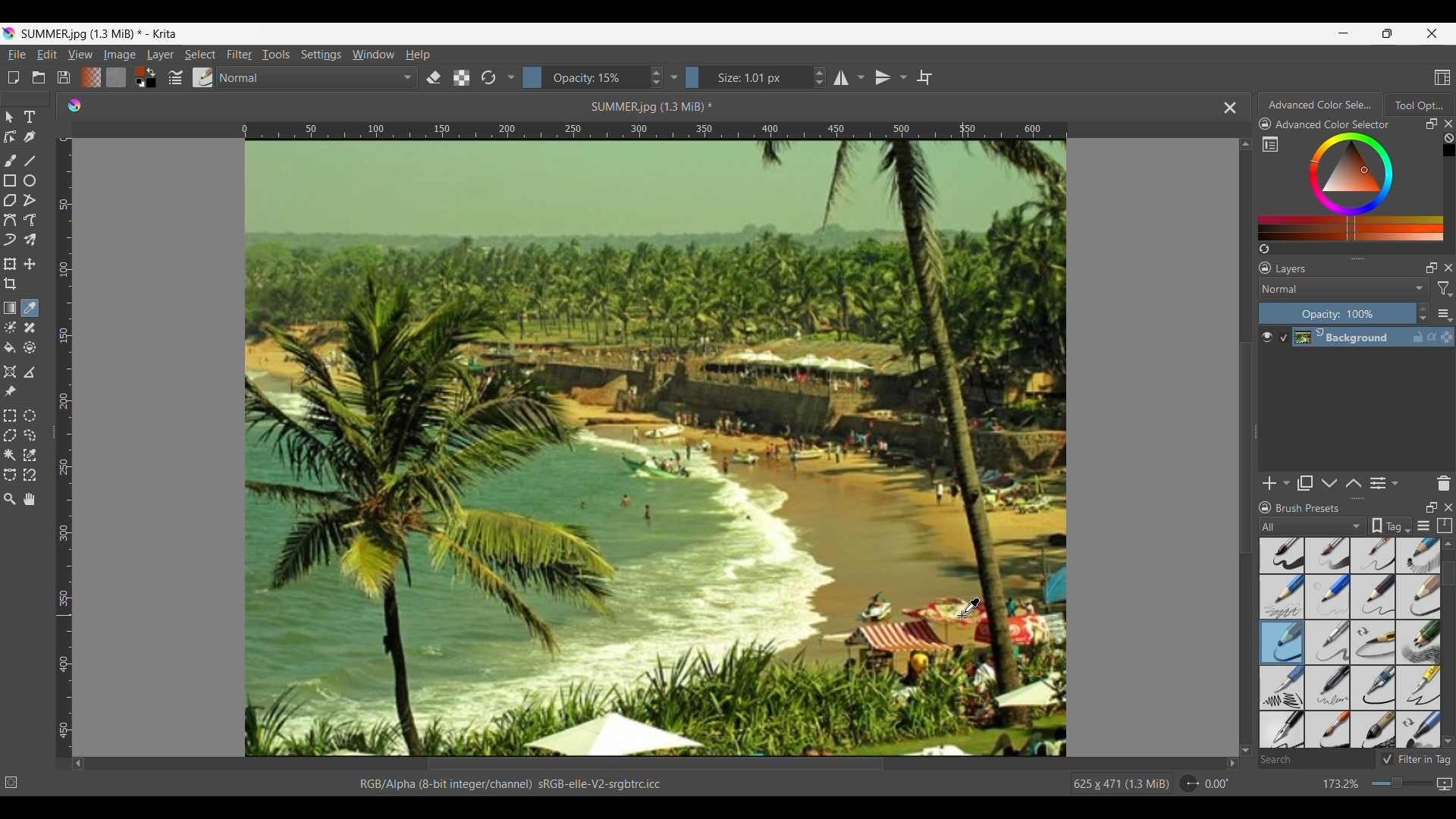 The image size is (1456, 819). What do you see at coordinates (1267, 337) in the screenshot?
I see `Make layer visible` at bounding box center [1267, 337].